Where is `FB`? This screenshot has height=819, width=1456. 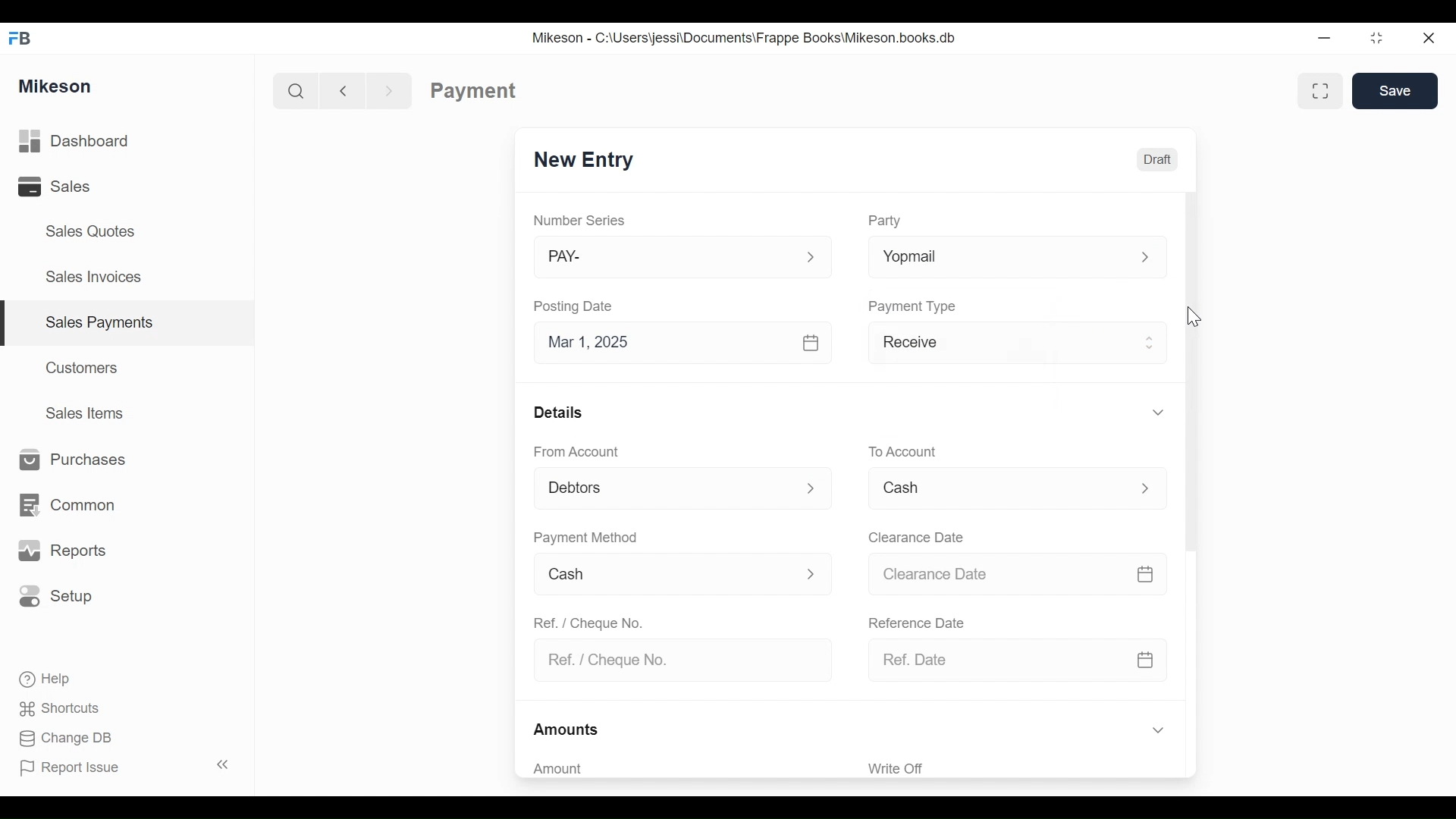 FB is located at coordinates (24, 36).